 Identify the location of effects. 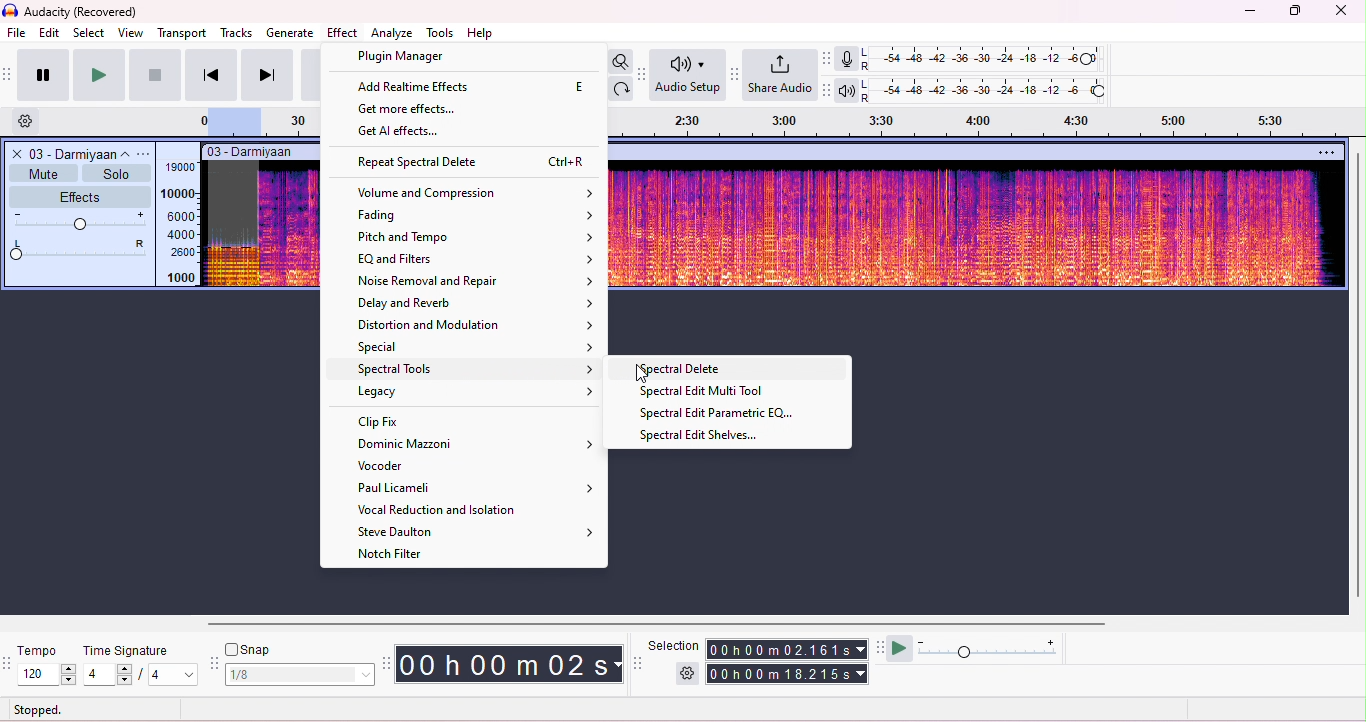
(79, 195).